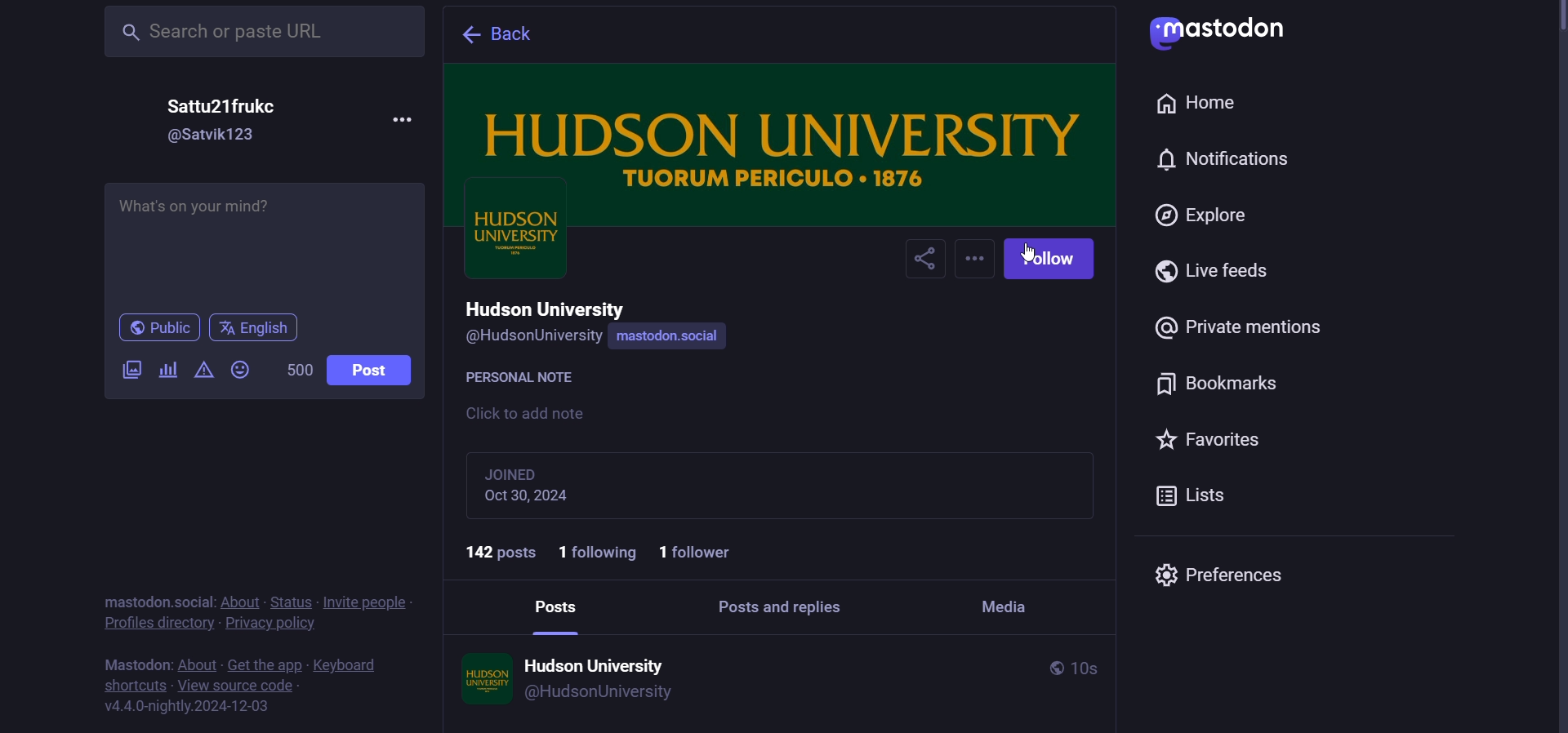  I want to click on v4.4.0-nightly.2024-12-03, so click(190, 704).